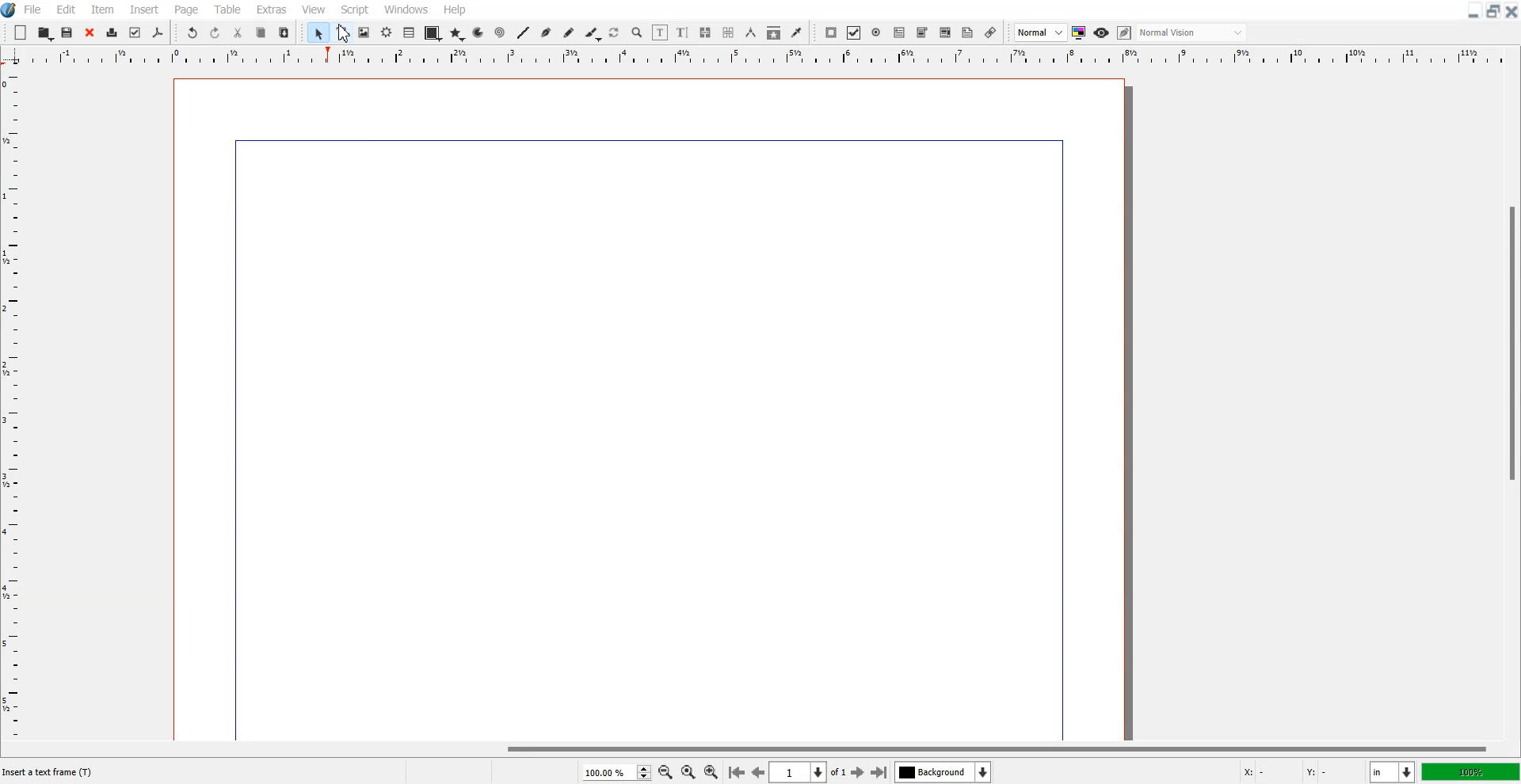  Describe the element at coordinates (433, 33) in the screenshot. I see `Shape` at that location.